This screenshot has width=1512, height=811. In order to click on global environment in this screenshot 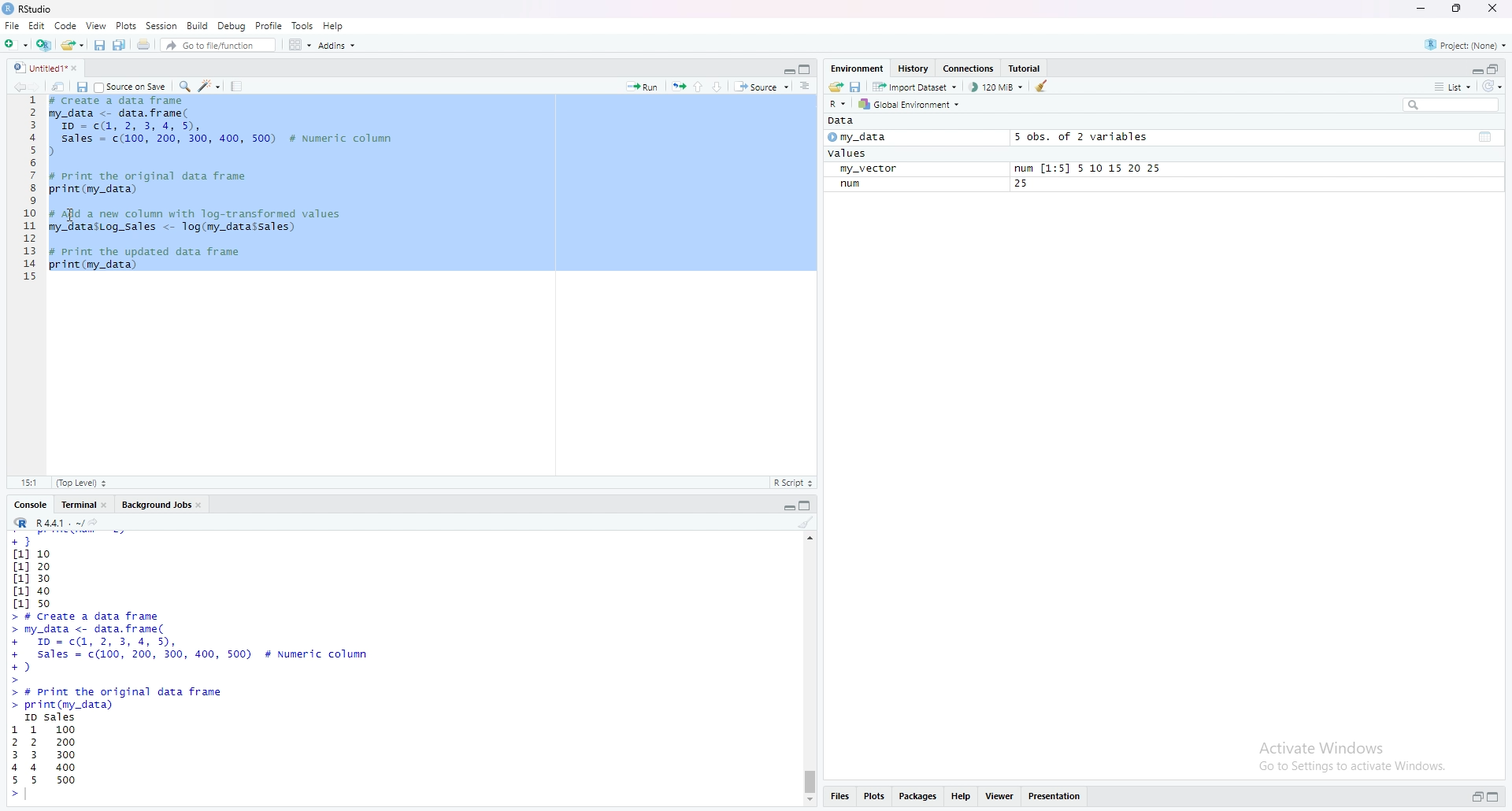, I will do `click(915, 106)`.